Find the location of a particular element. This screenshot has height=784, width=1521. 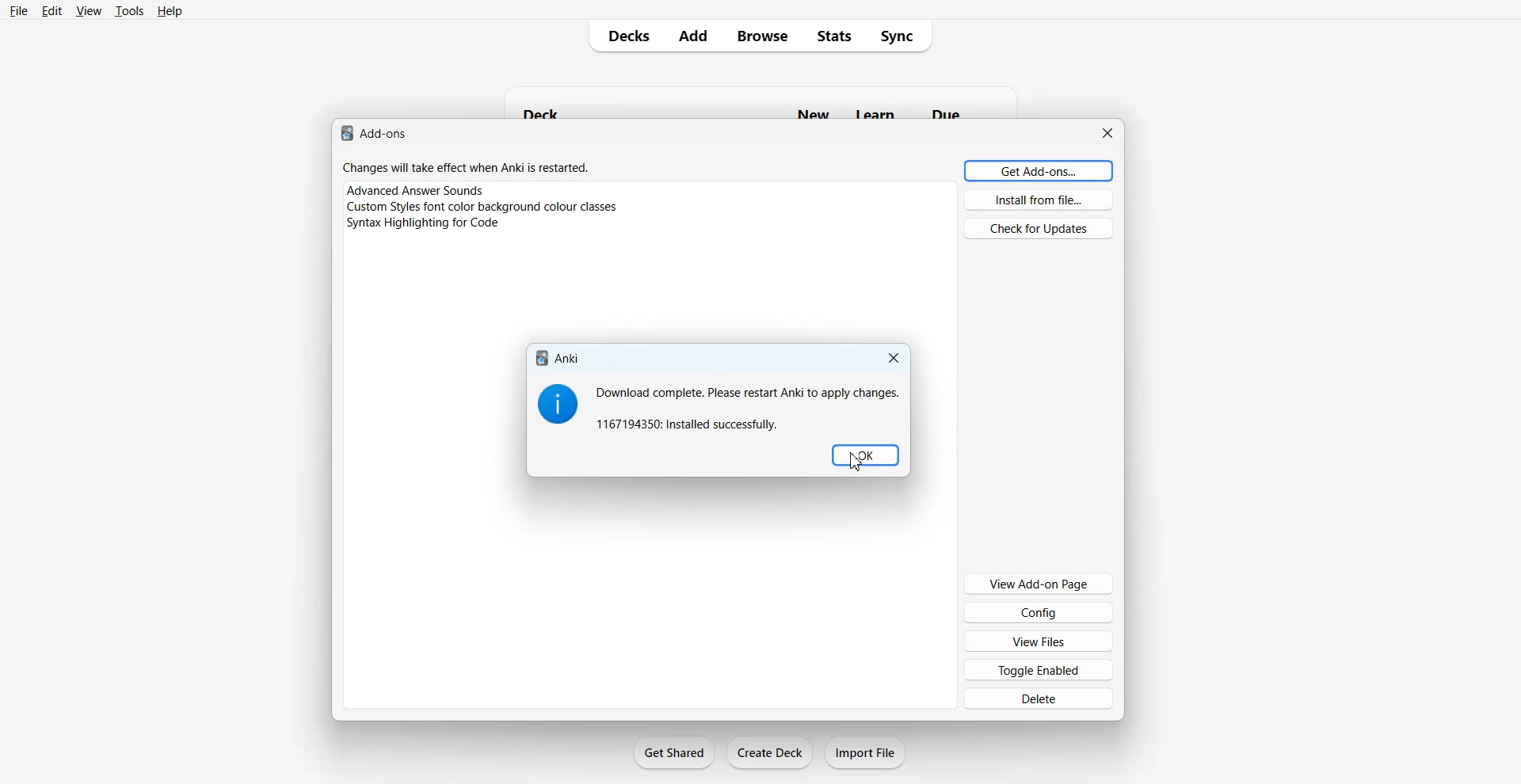

Tools is located at coordinates (128, 11).